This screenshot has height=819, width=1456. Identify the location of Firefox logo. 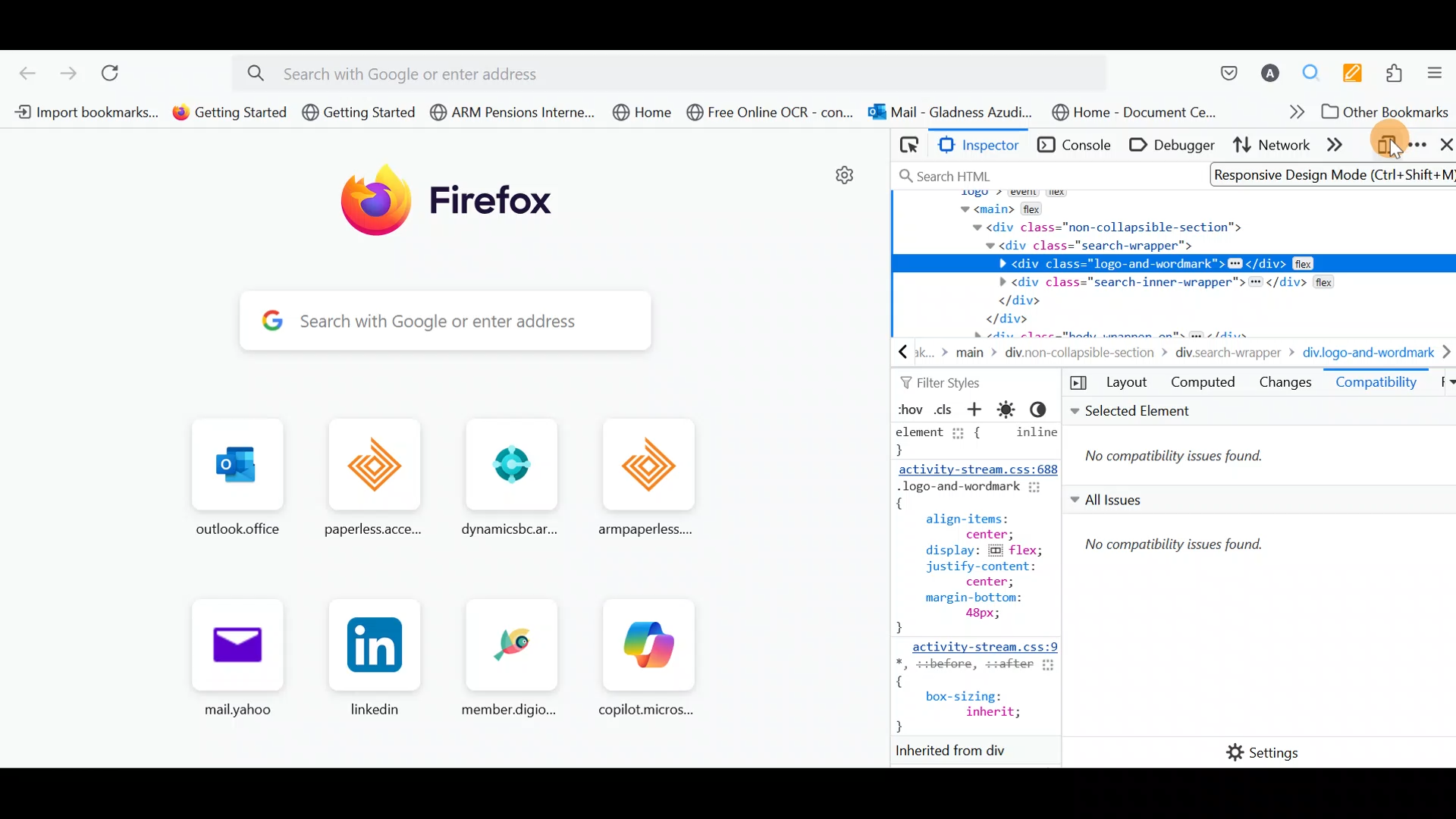
(448, 202).